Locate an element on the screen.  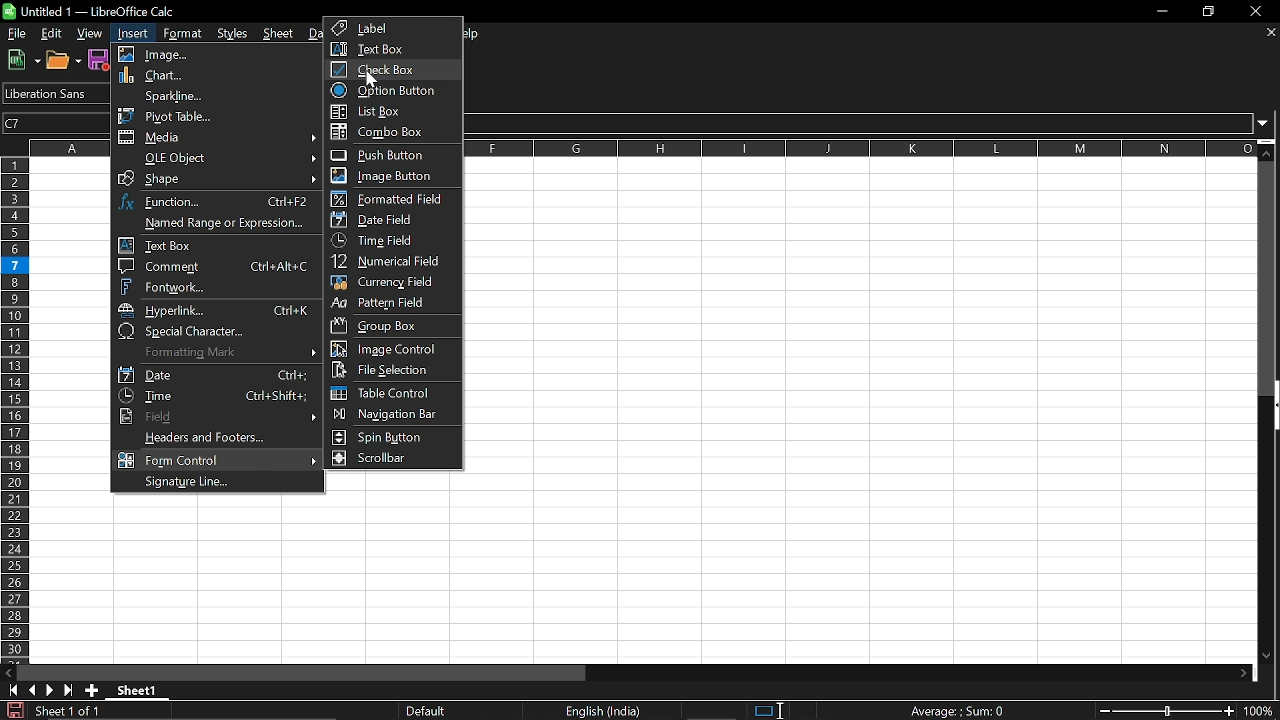
Formatted field is located at coordinates (390, 198).